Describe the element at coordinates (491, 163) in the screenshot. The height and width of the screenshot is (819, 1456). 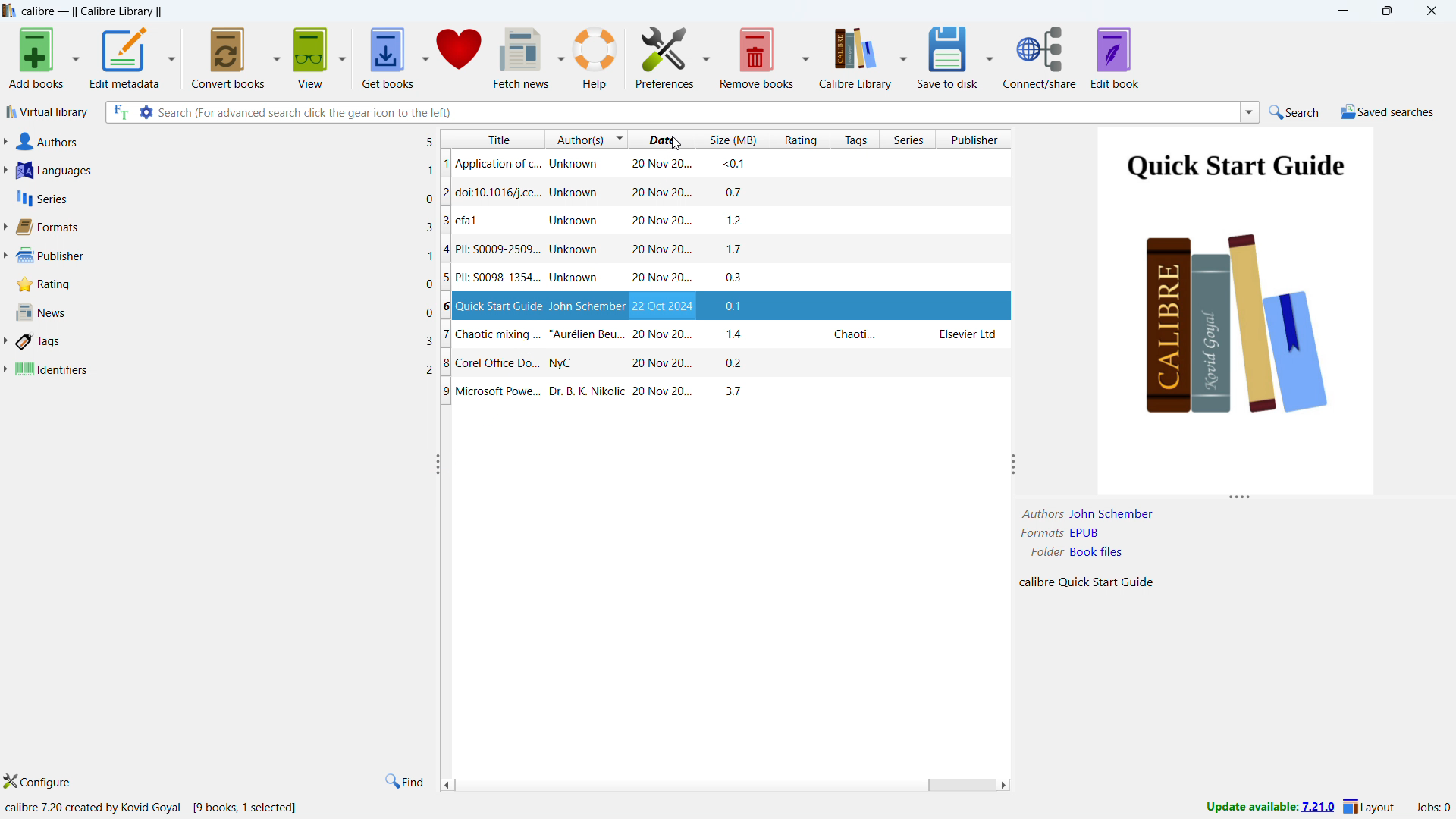
I see `Application of c...` at that location.